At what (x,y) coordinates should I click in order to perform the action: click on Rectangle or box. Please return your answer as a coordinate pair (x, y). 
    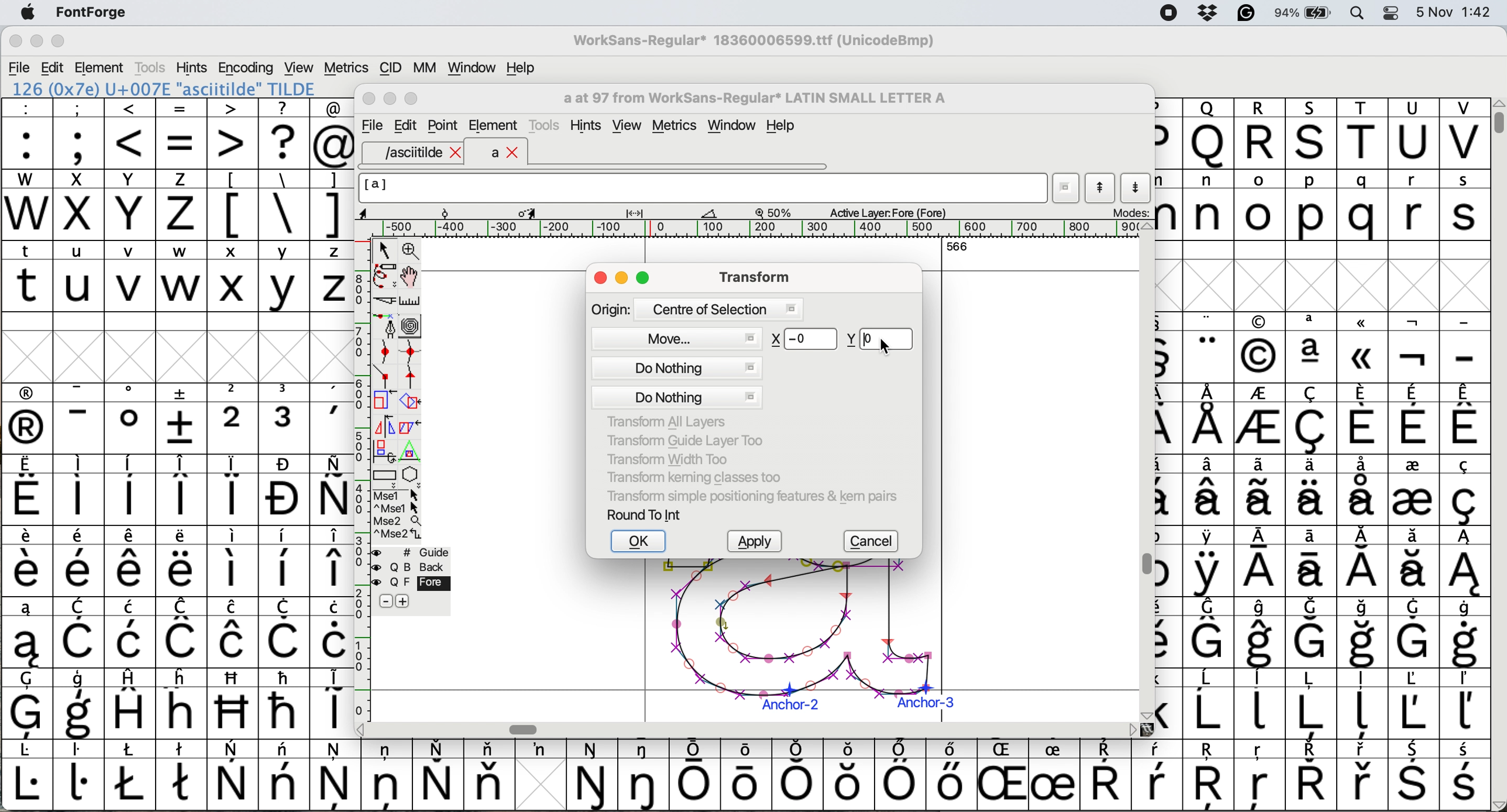
    Looking at the image, I should click on (384, 475).